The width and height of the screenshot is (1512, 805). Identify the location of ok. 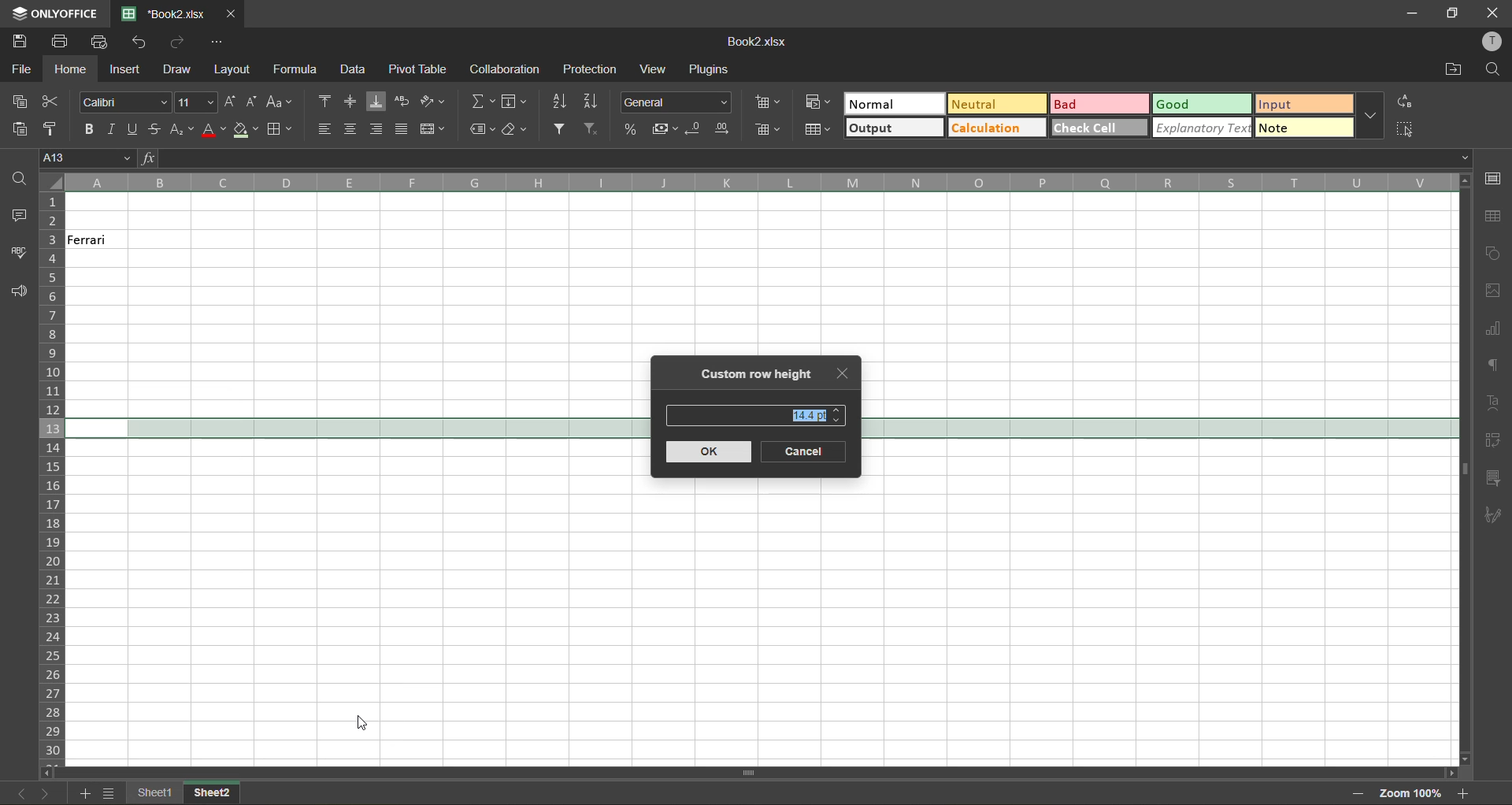
(710, 452).